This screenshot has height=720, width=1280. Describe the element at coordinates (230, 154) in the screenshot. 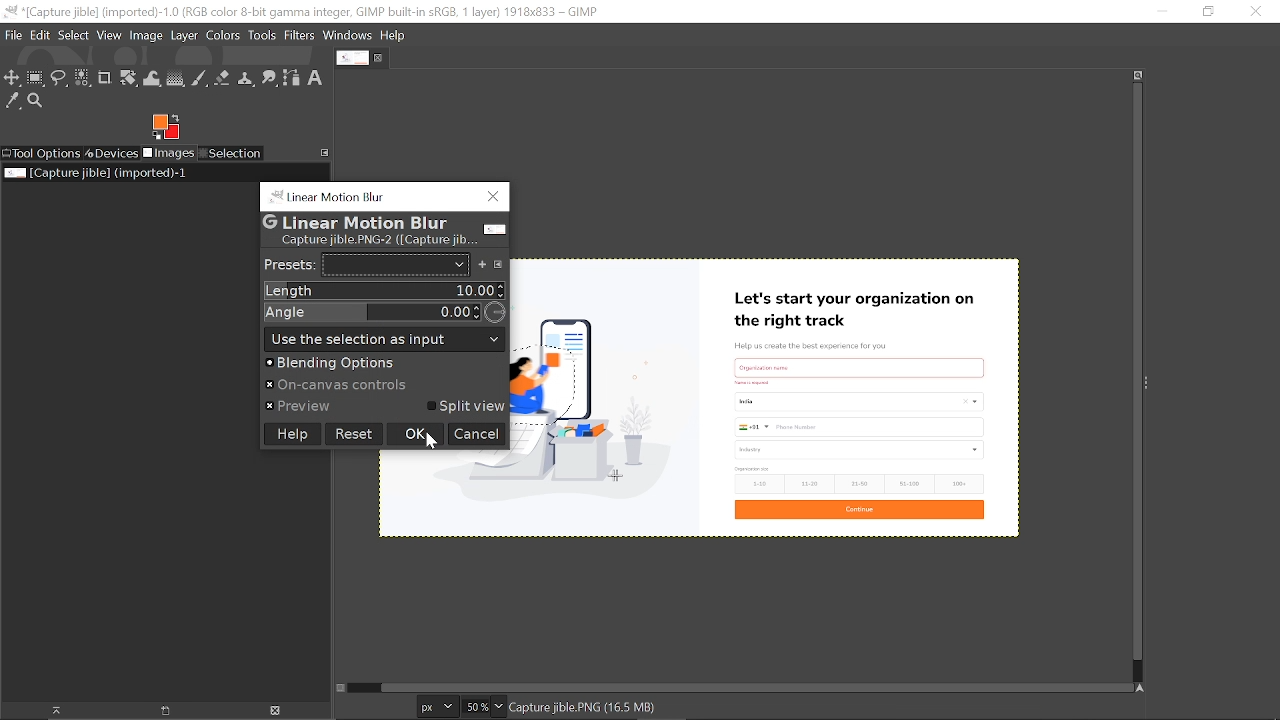

I see `Selection` at that location.